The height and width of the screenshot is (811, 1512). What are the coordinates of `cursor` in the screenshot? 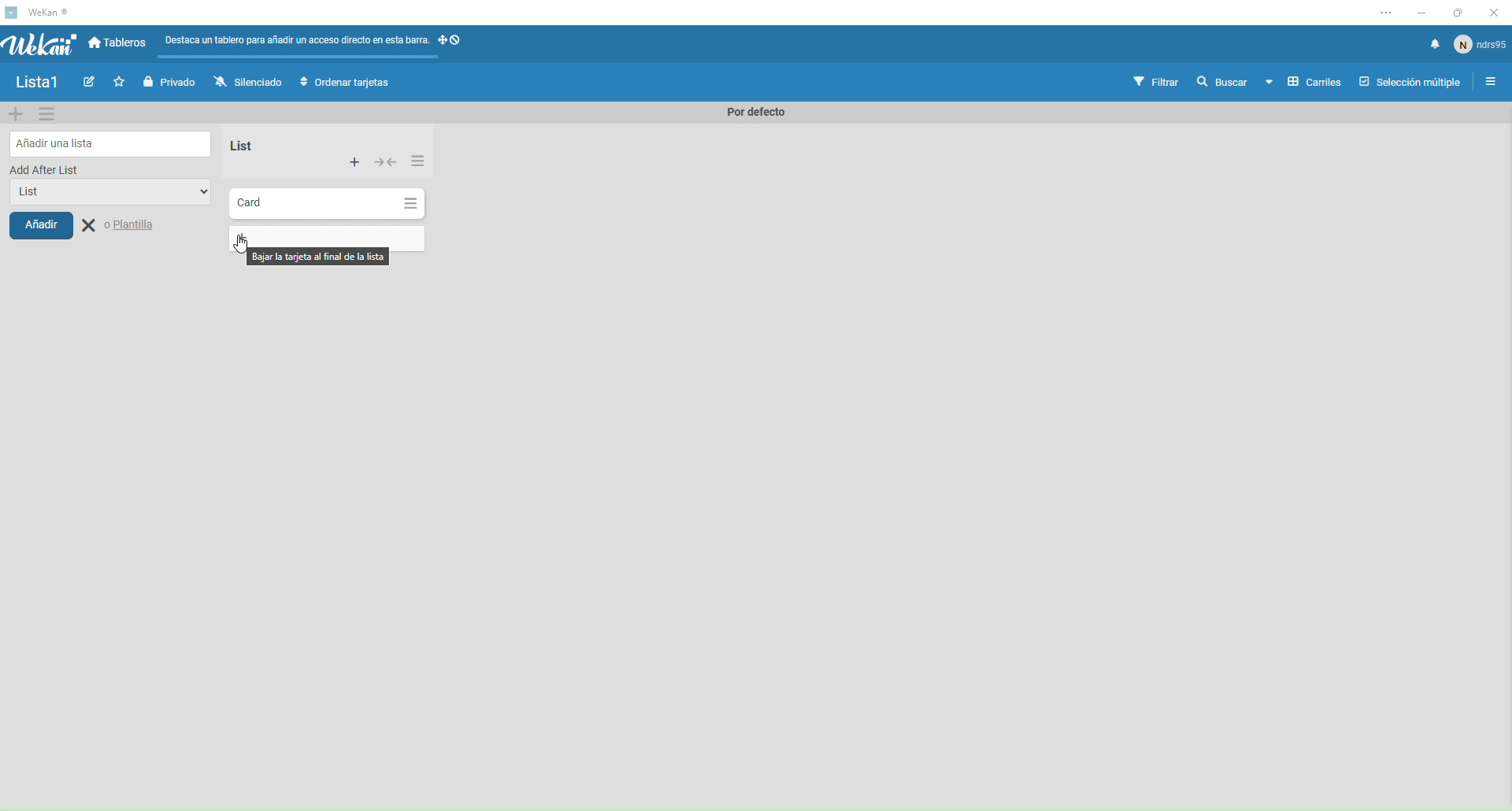 It's located at (242, 243).